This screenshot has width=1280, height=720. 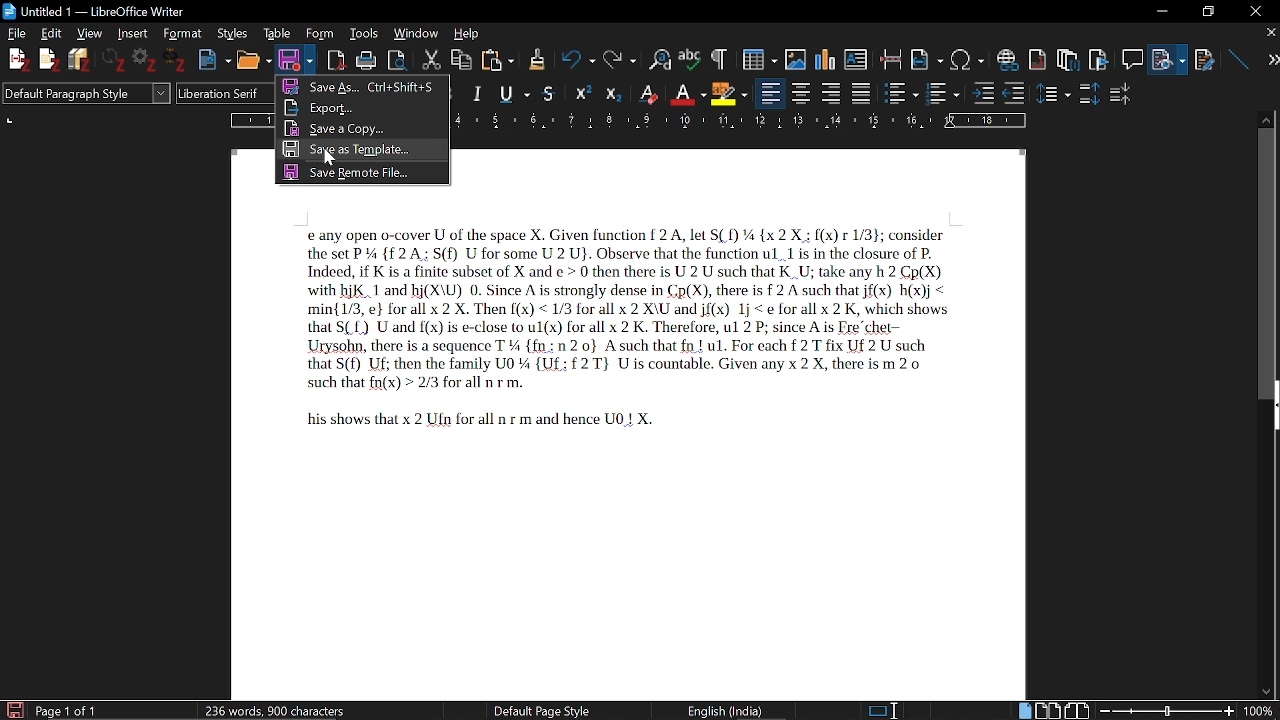 What do you see at coordinates (901, 93) in the screenshot?
I see `toggled unordered list` at bounding box center [901, 93].